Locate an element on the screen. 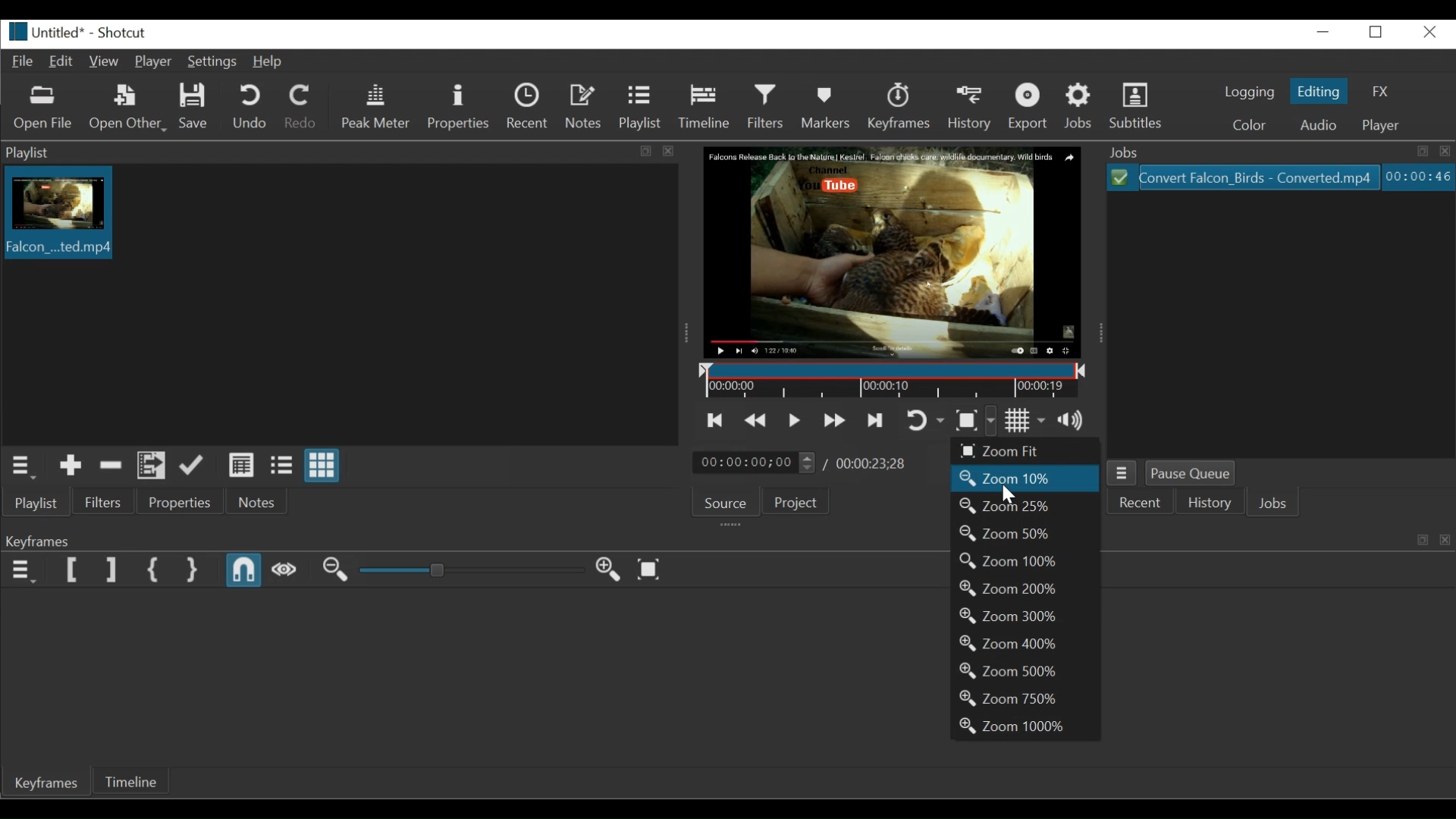  View as details is located at coordinates (242, 466).